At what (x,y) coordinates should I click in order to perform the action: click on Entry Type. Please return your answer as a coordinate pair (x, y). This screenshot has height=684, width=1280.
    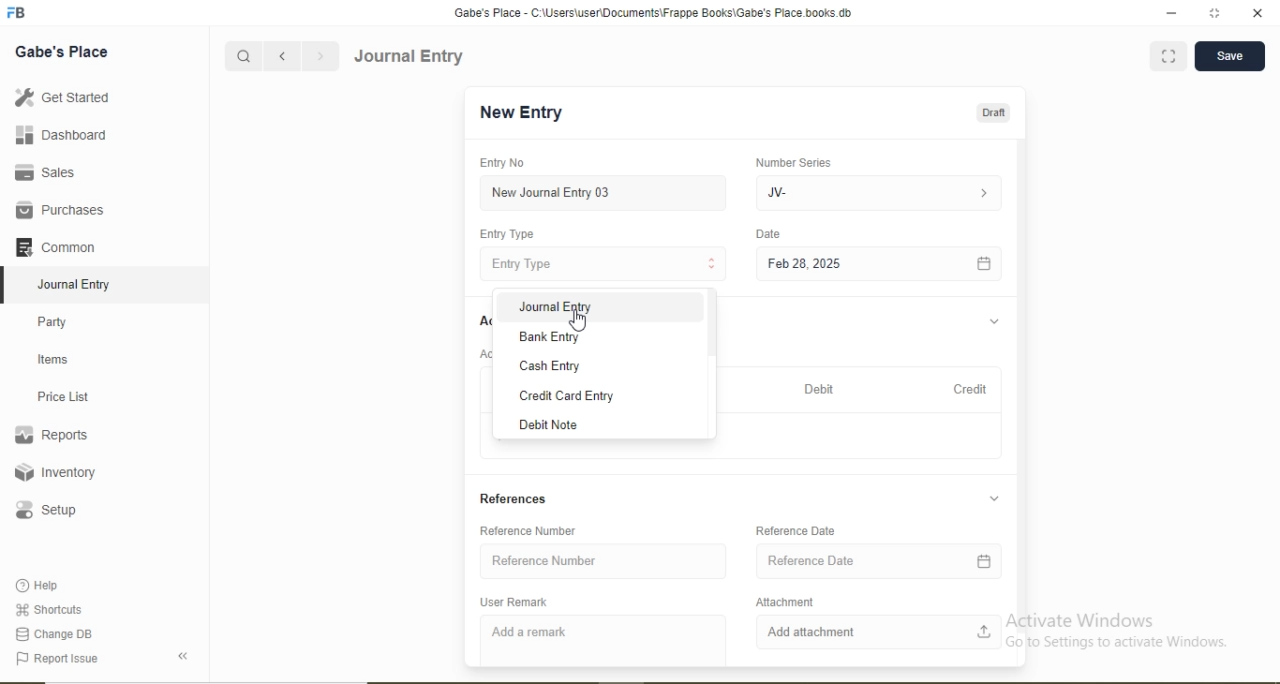
    Looking at the image, I should click on (522, 264).